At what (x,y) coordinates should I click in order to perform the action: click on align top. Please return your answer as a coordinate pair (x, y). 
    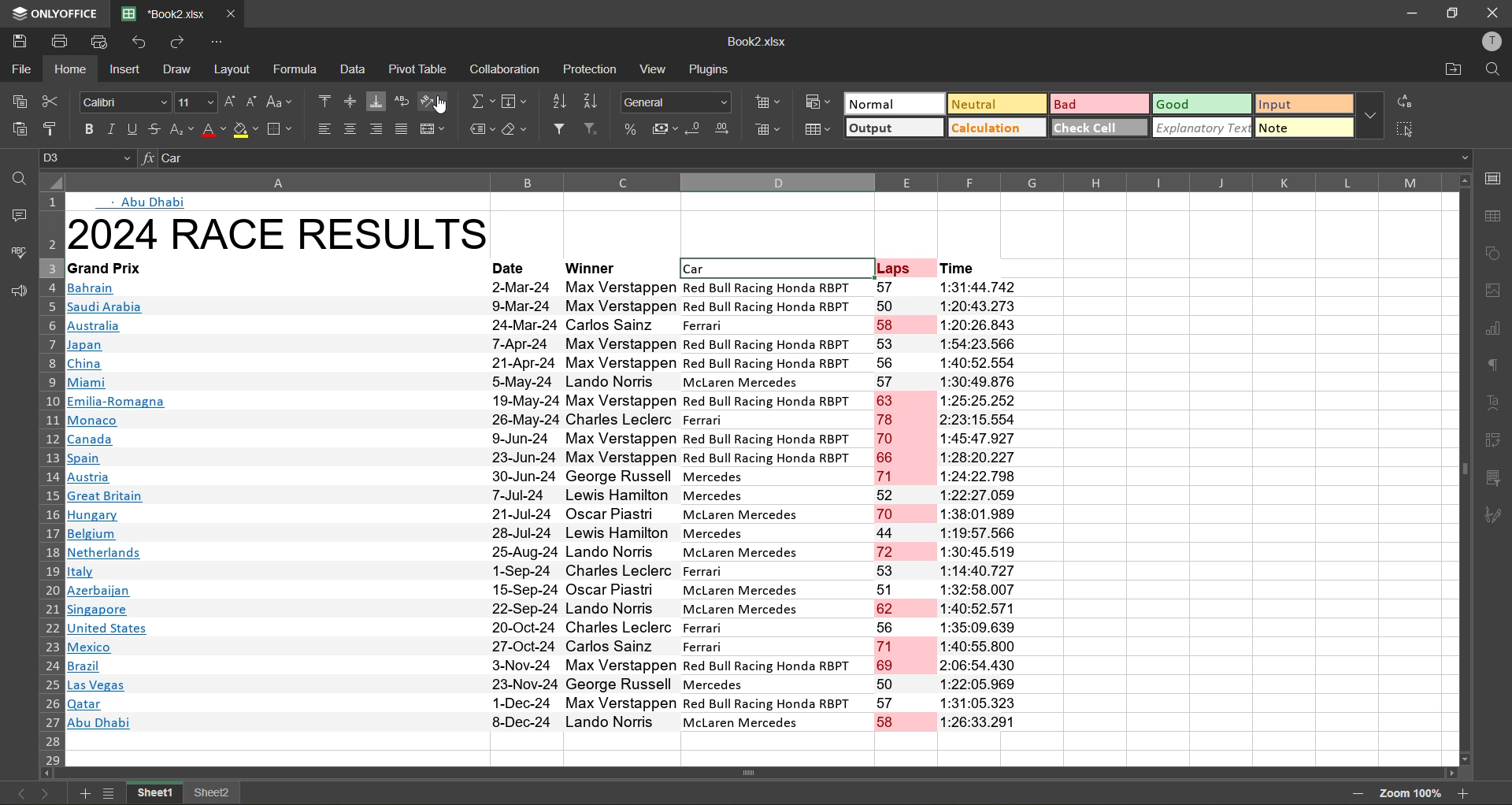
    Looking at the image, I should click on (324, 101).